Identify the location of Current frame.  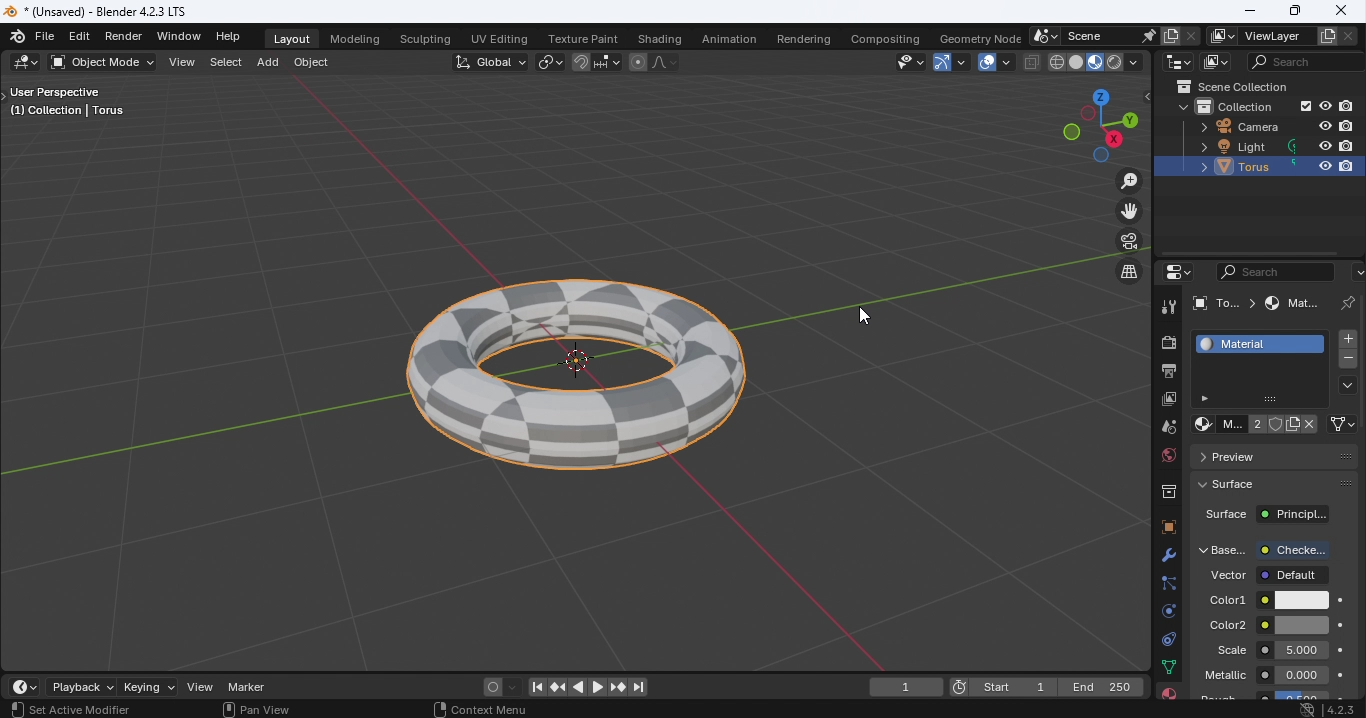
(961, 688).